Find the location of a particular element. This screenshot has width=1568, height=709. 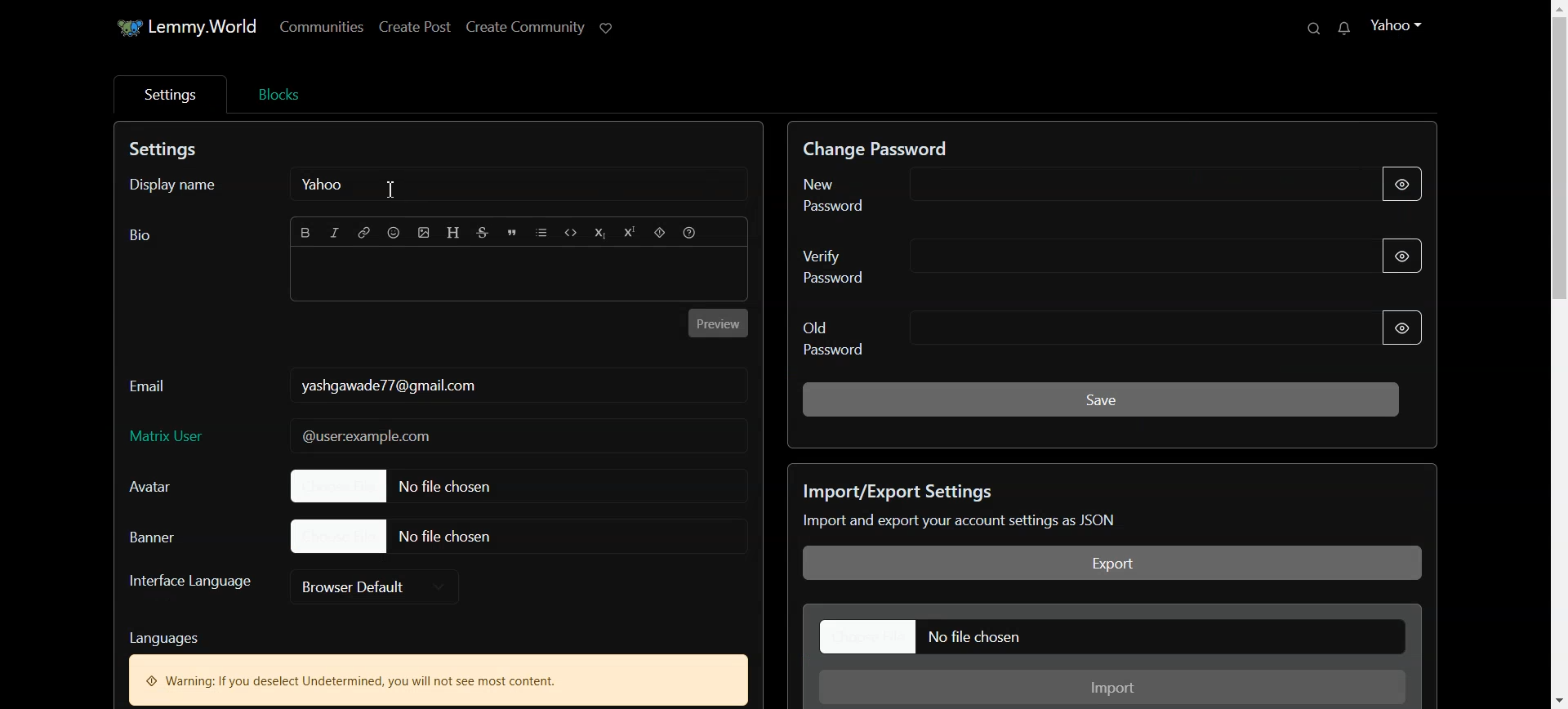

Browser default is located at coordinates (376, 586).